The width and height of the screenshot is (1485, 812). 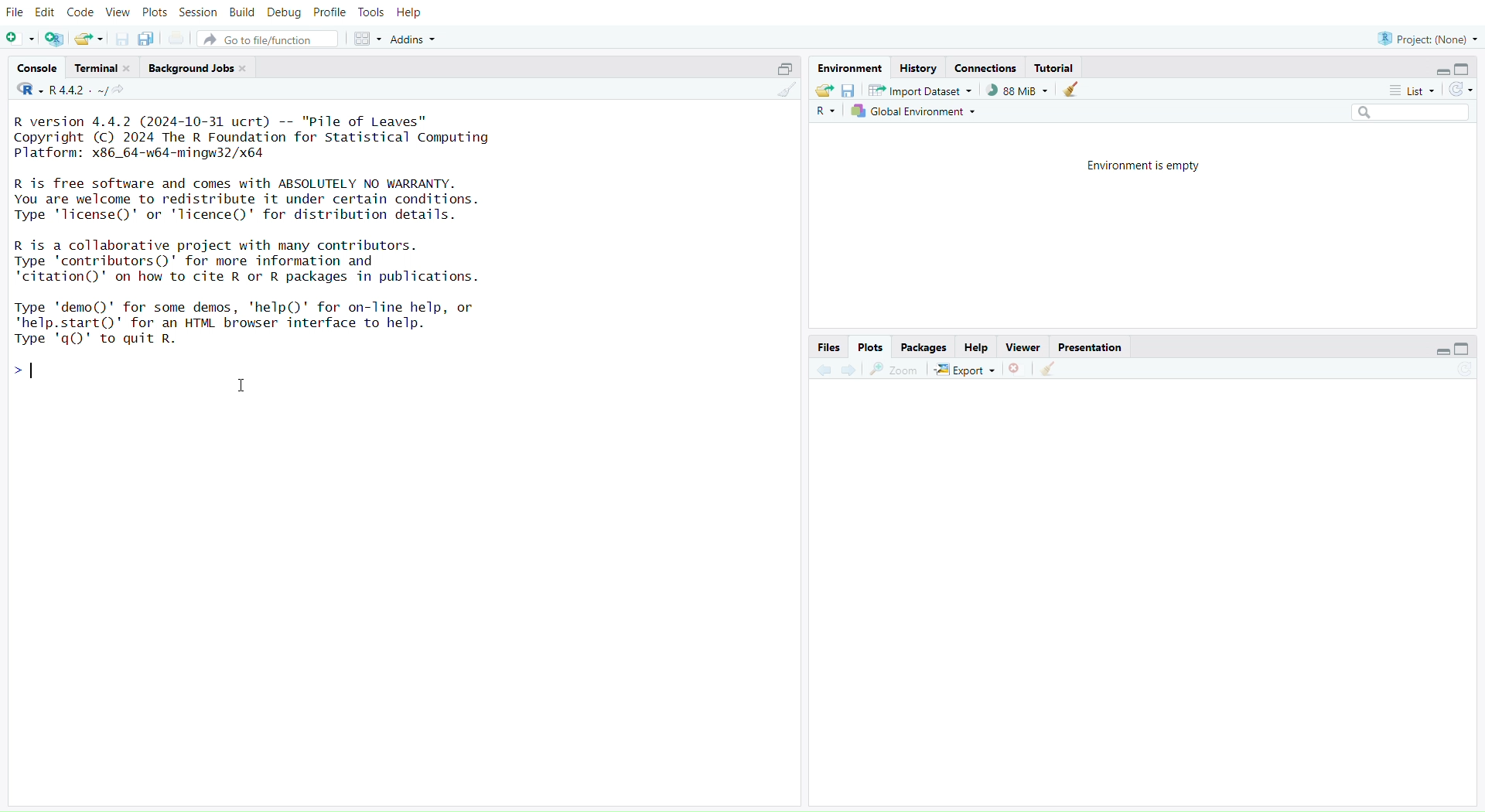 I want to click on clear all plot, so click(x=1050, y=370).